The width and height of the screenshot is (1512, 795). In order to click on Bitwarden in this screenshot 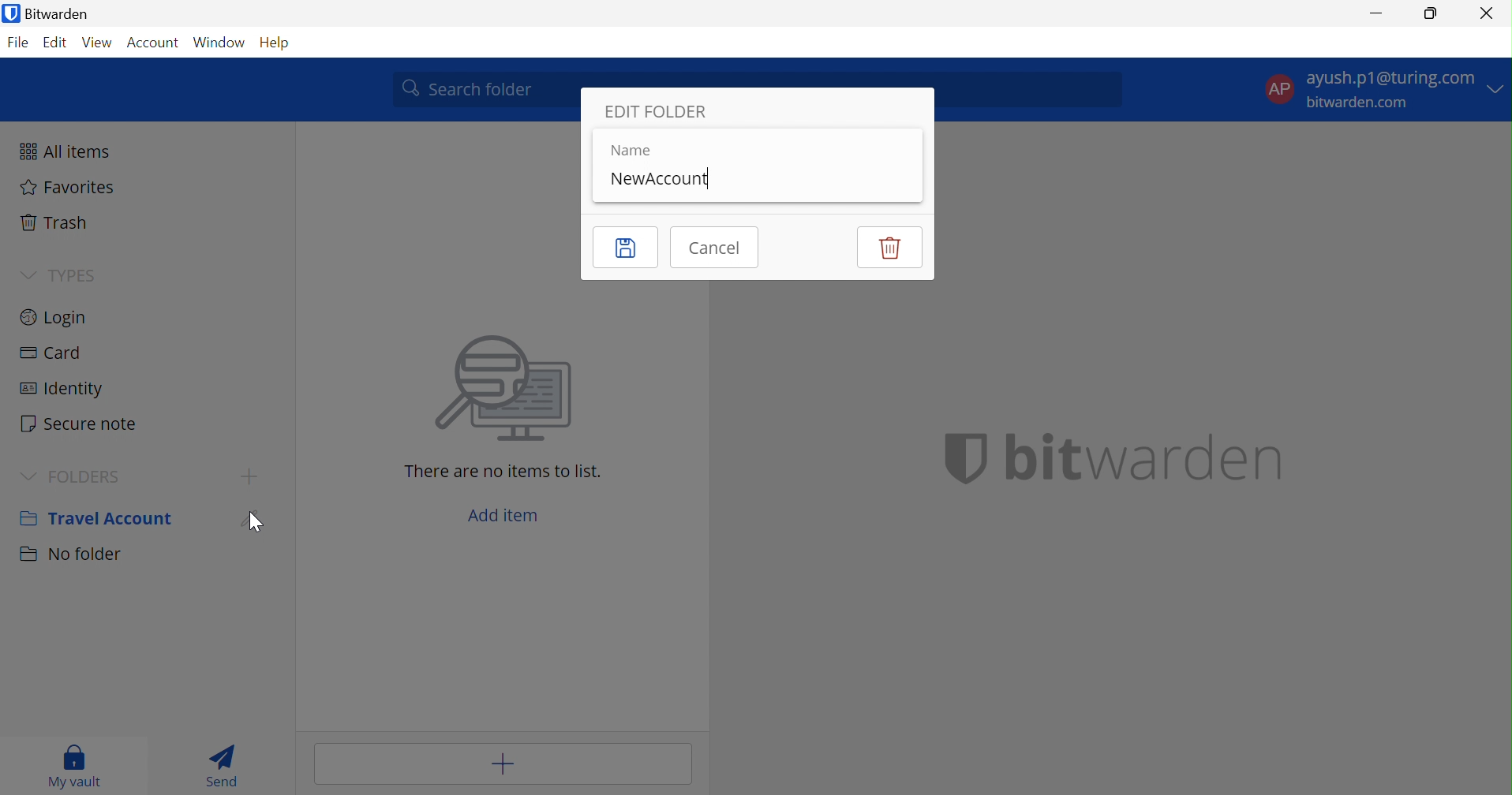, I will do `click(51, 14)`.